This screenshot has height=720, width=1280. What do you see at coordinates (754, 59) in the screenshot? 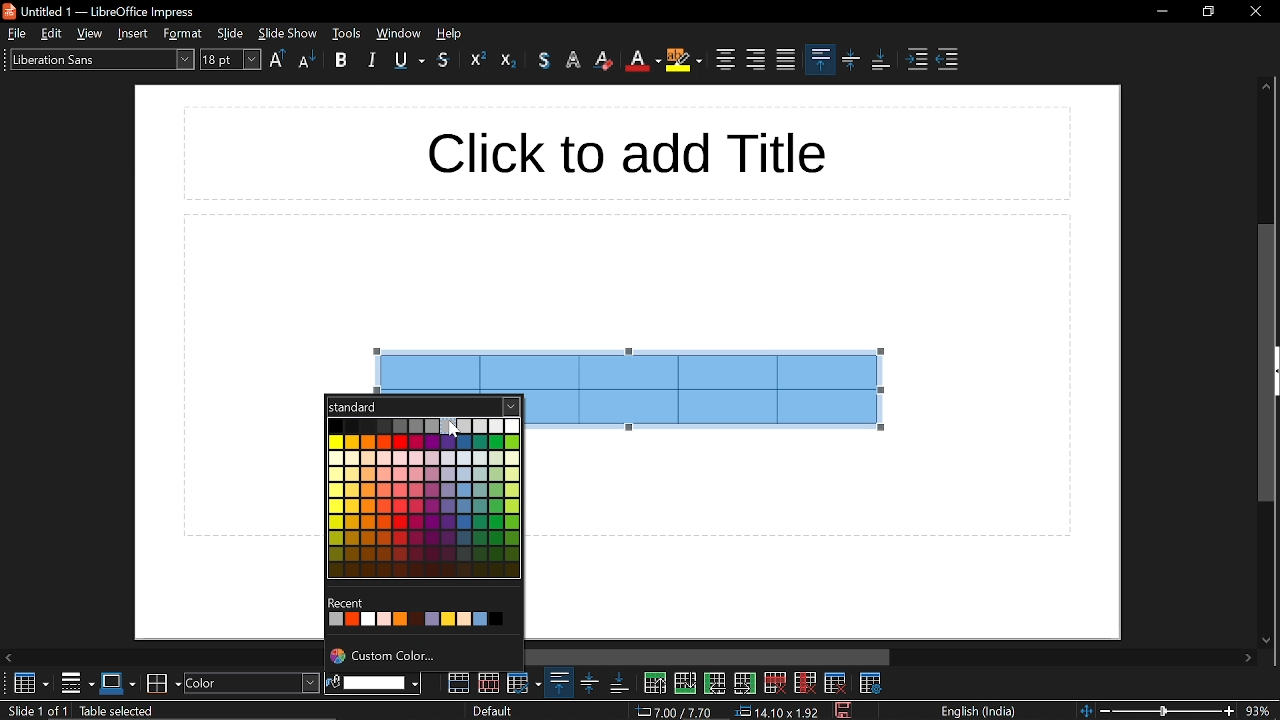
I see `align right` at bounding box center [754, 59].